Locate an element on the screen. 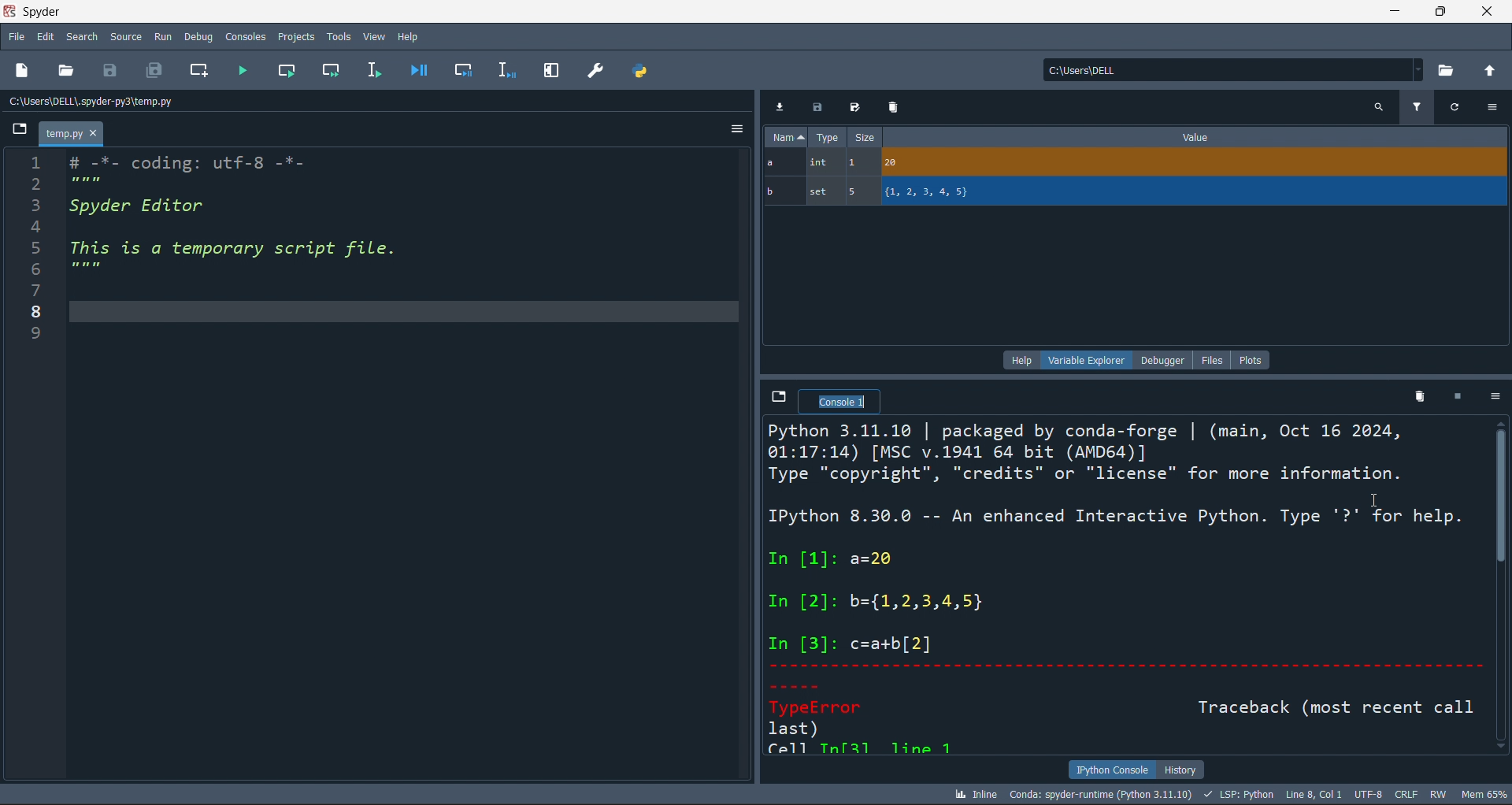 Image resolution: width=1512 pixels, height=805 pixels. save data as is located at coordinates (852, 108).